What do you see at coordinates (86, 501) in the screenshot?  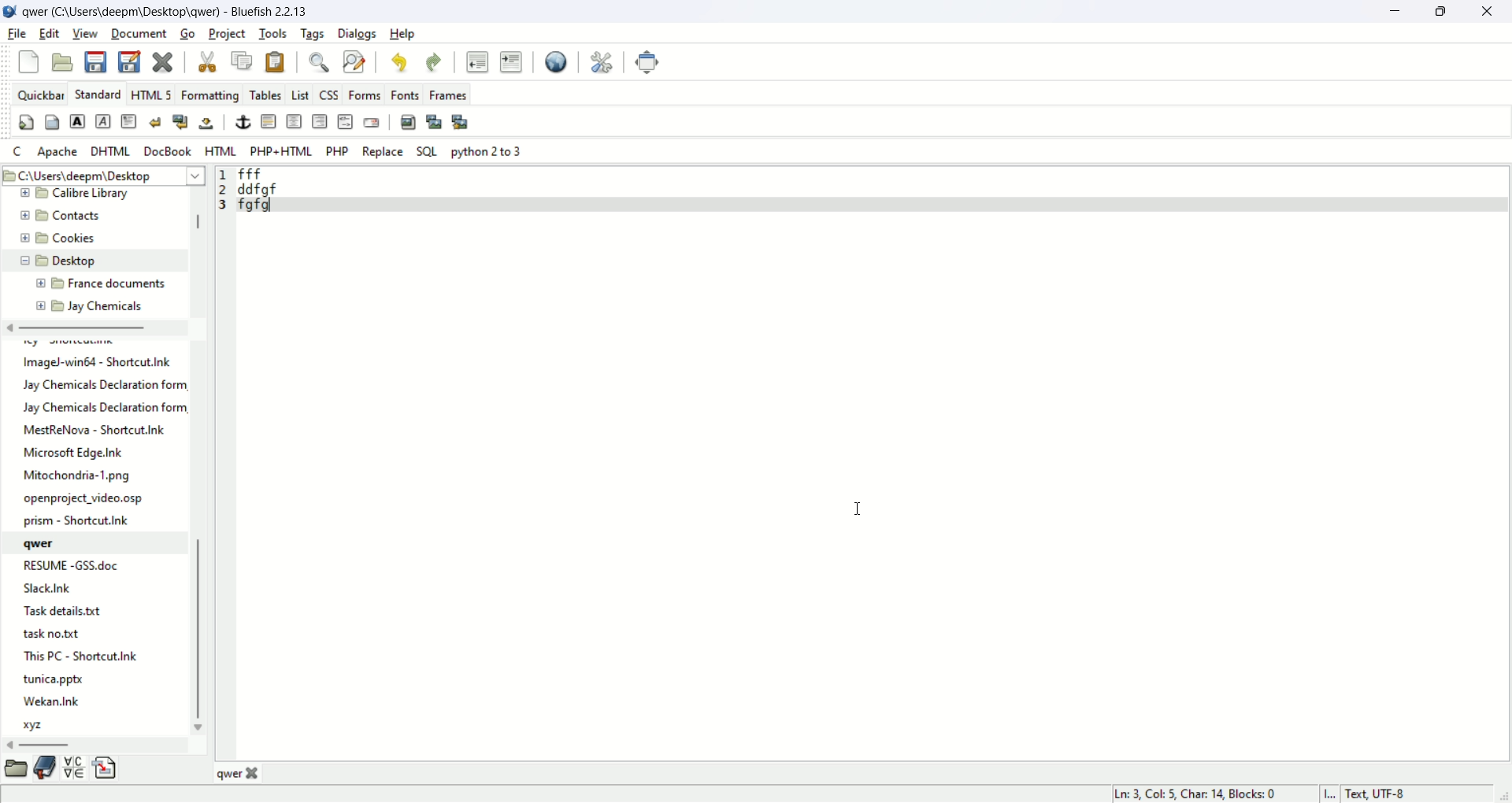 I see `file` at bounding box center [86, 501].